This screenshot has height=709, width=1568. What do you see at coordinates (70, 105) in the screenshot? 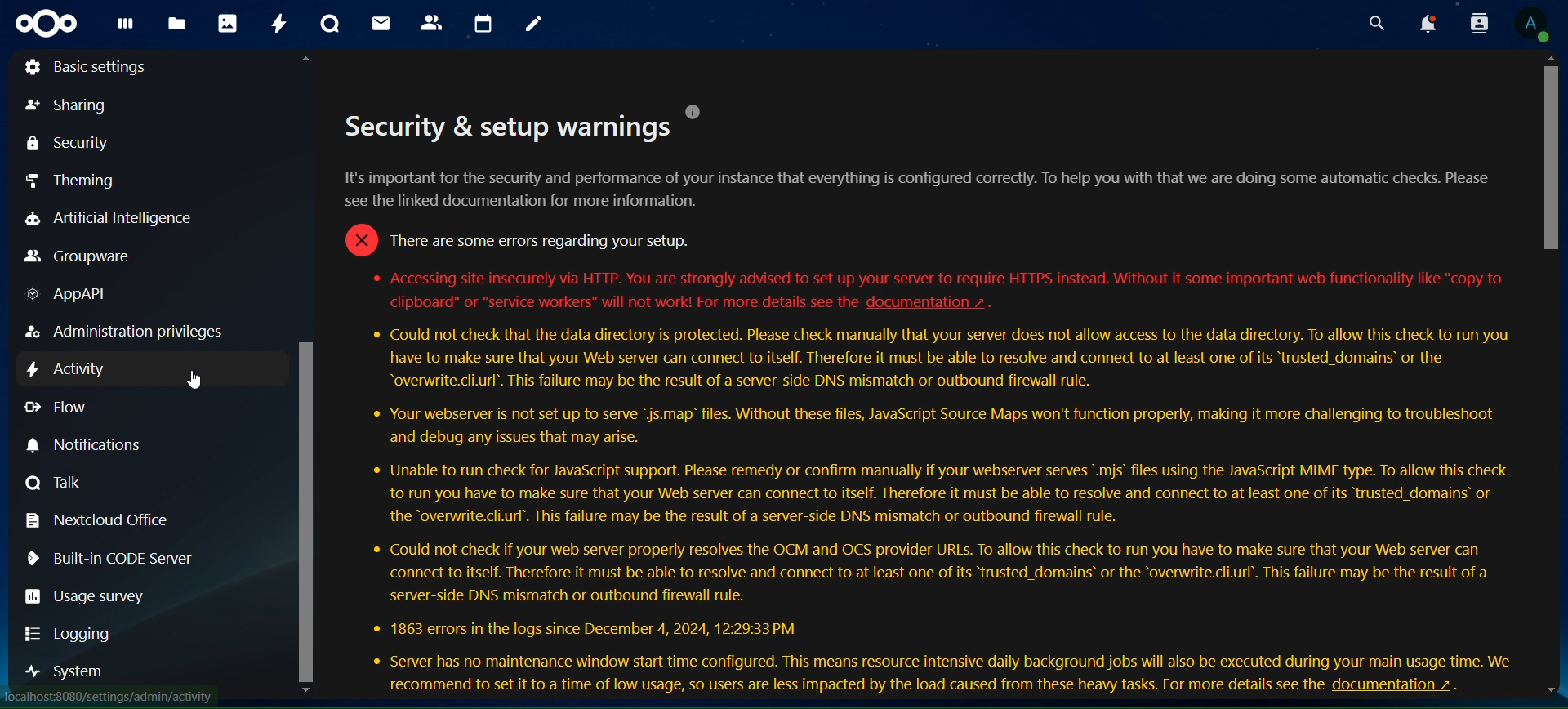
I see `sharing` at bounding box center [70, 105].